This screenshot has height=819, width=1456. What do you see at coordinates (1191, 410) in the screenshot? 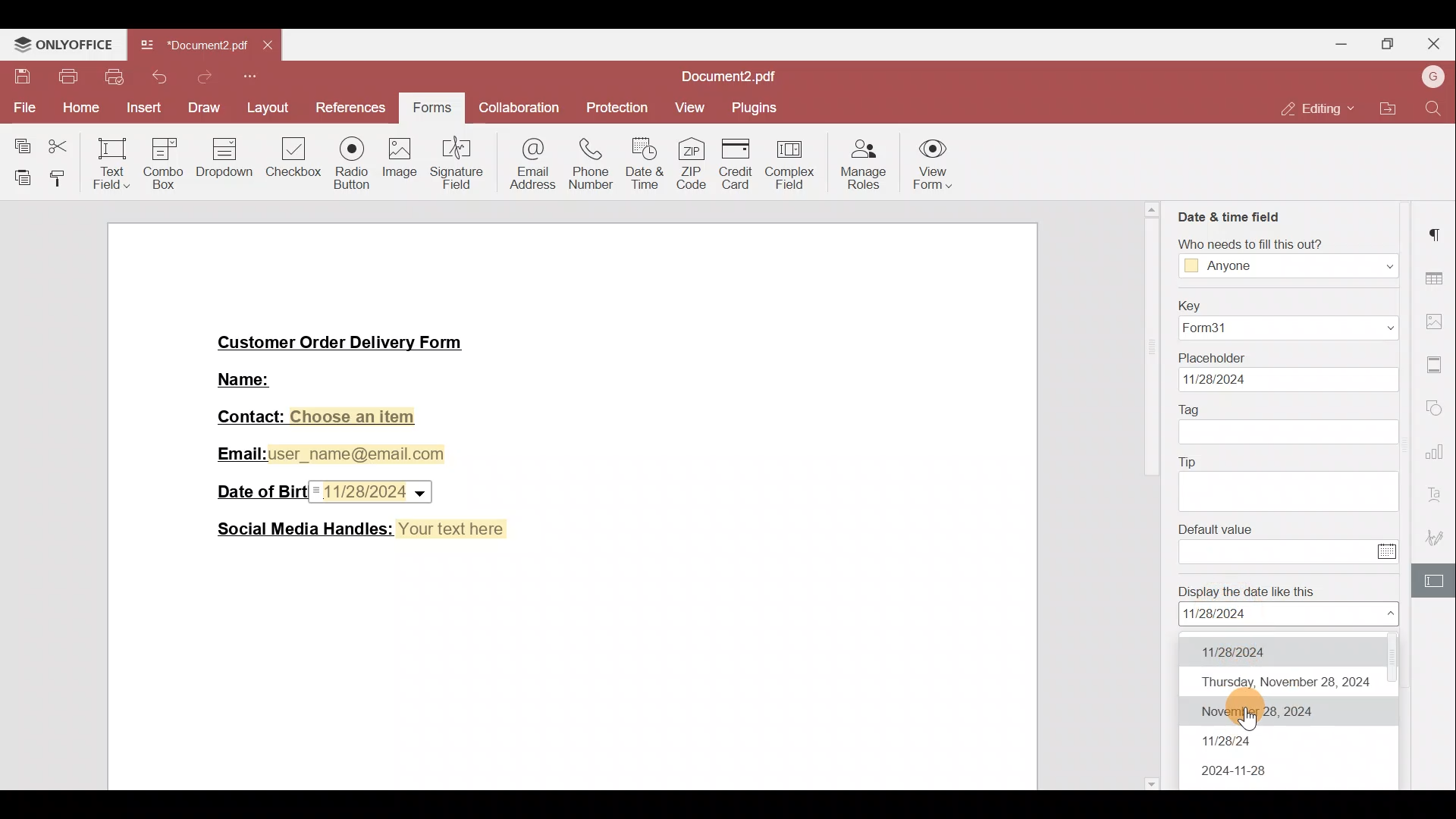
I see `Tag` at bounding box center [1191, 410].